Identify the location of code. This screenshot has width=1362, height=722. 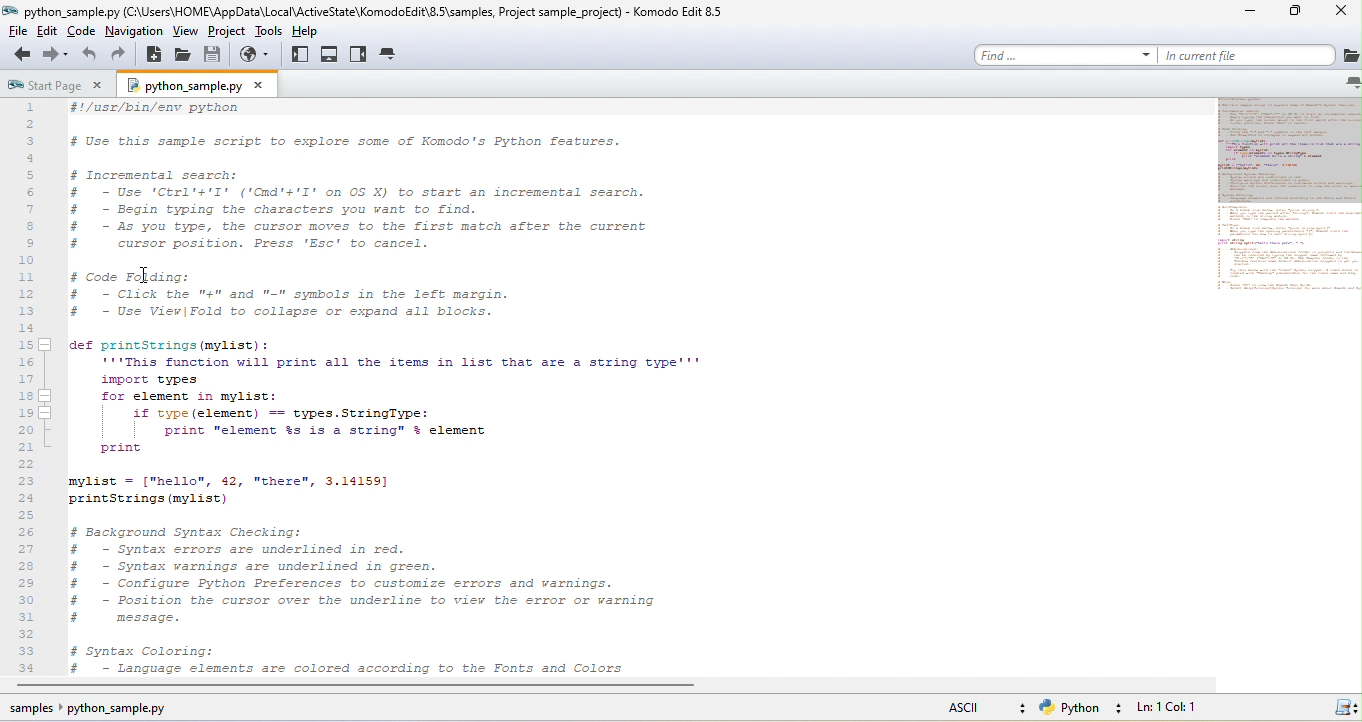
(79, 34).